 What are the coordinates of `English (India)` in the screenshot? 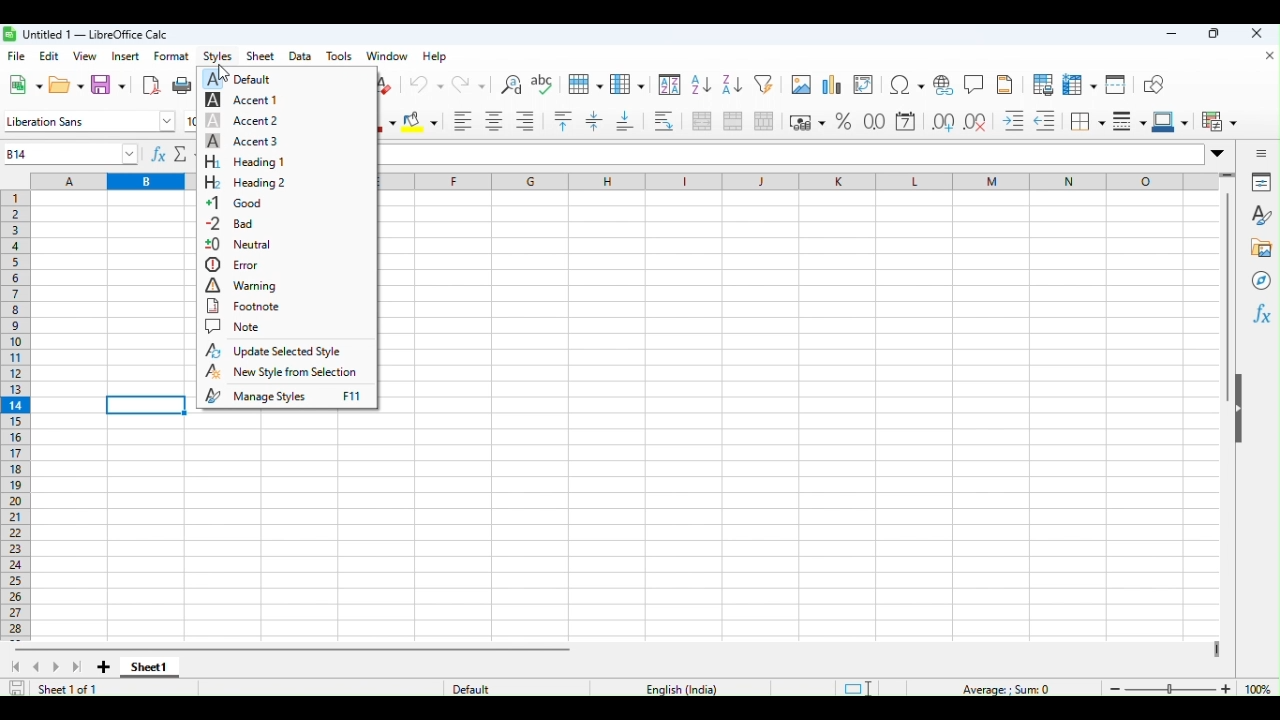 It's located at (684, 689).